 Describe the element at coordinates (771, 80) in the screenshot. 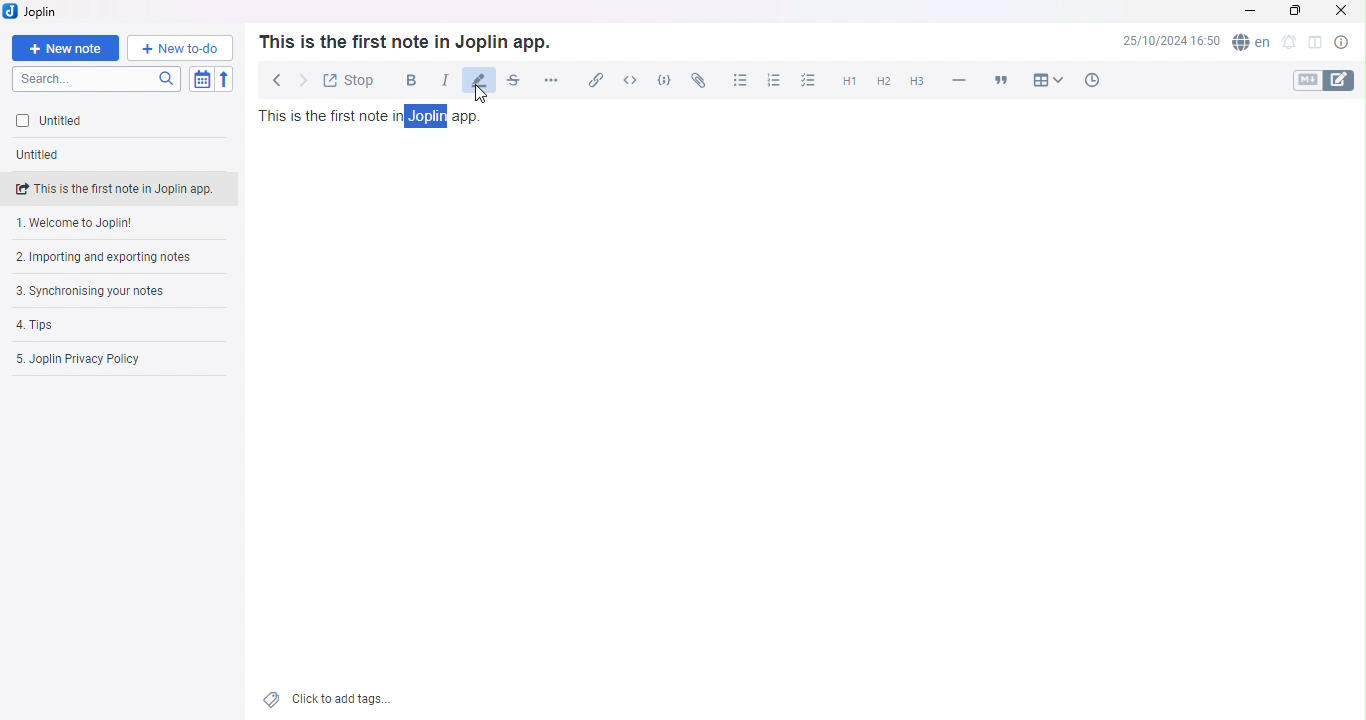

I see `Numbered list` at that location.